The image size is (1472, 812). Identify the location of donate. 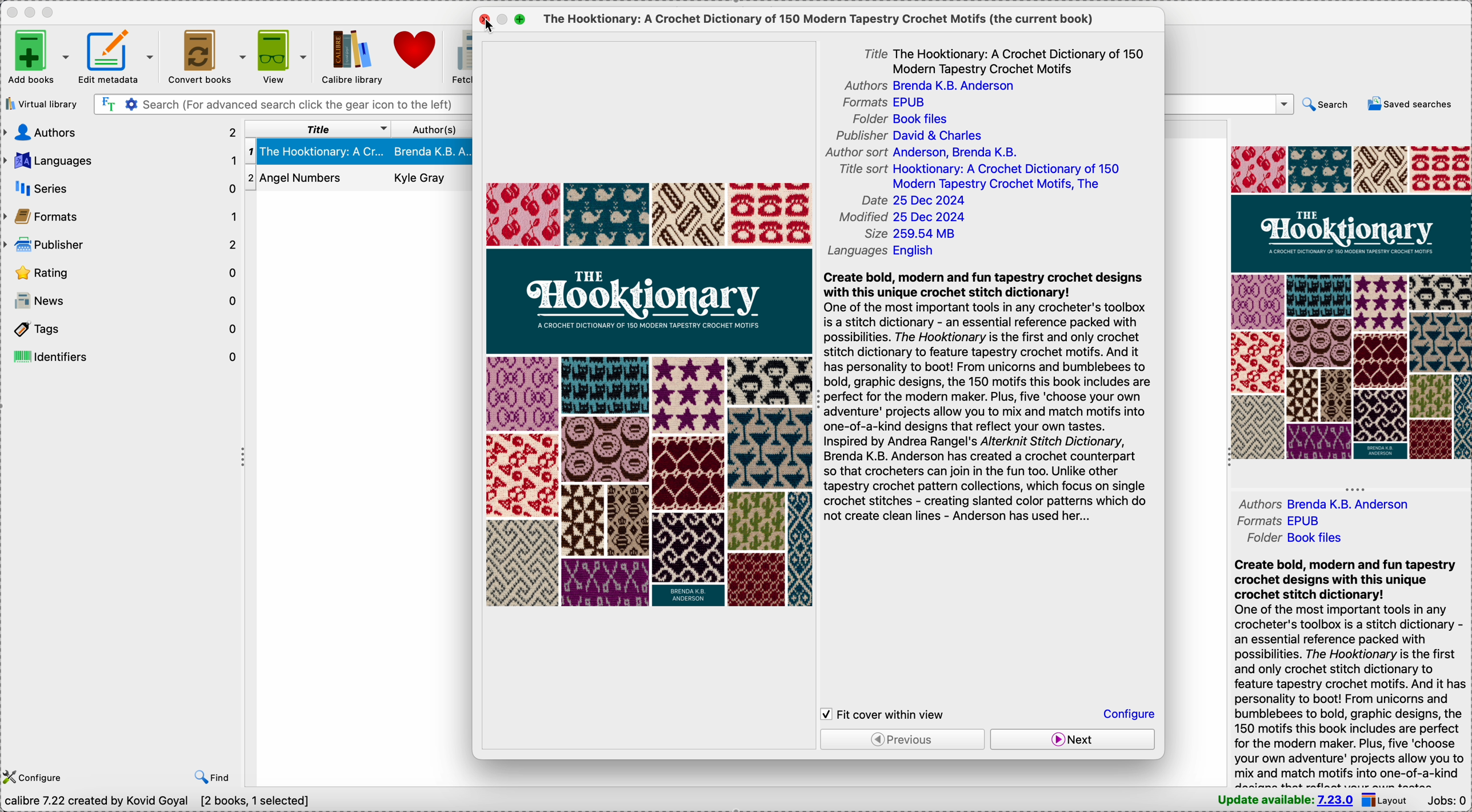
(417, 49).